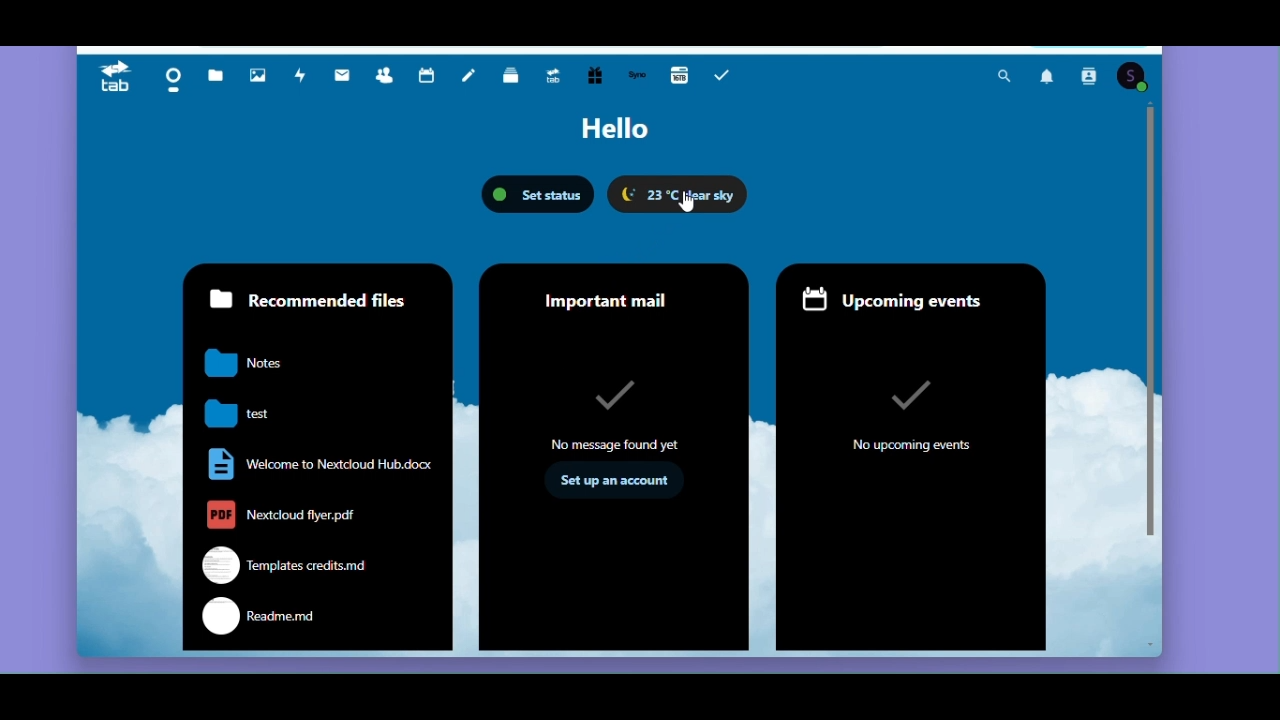  I want to click on Calendar, so click(430, 79).